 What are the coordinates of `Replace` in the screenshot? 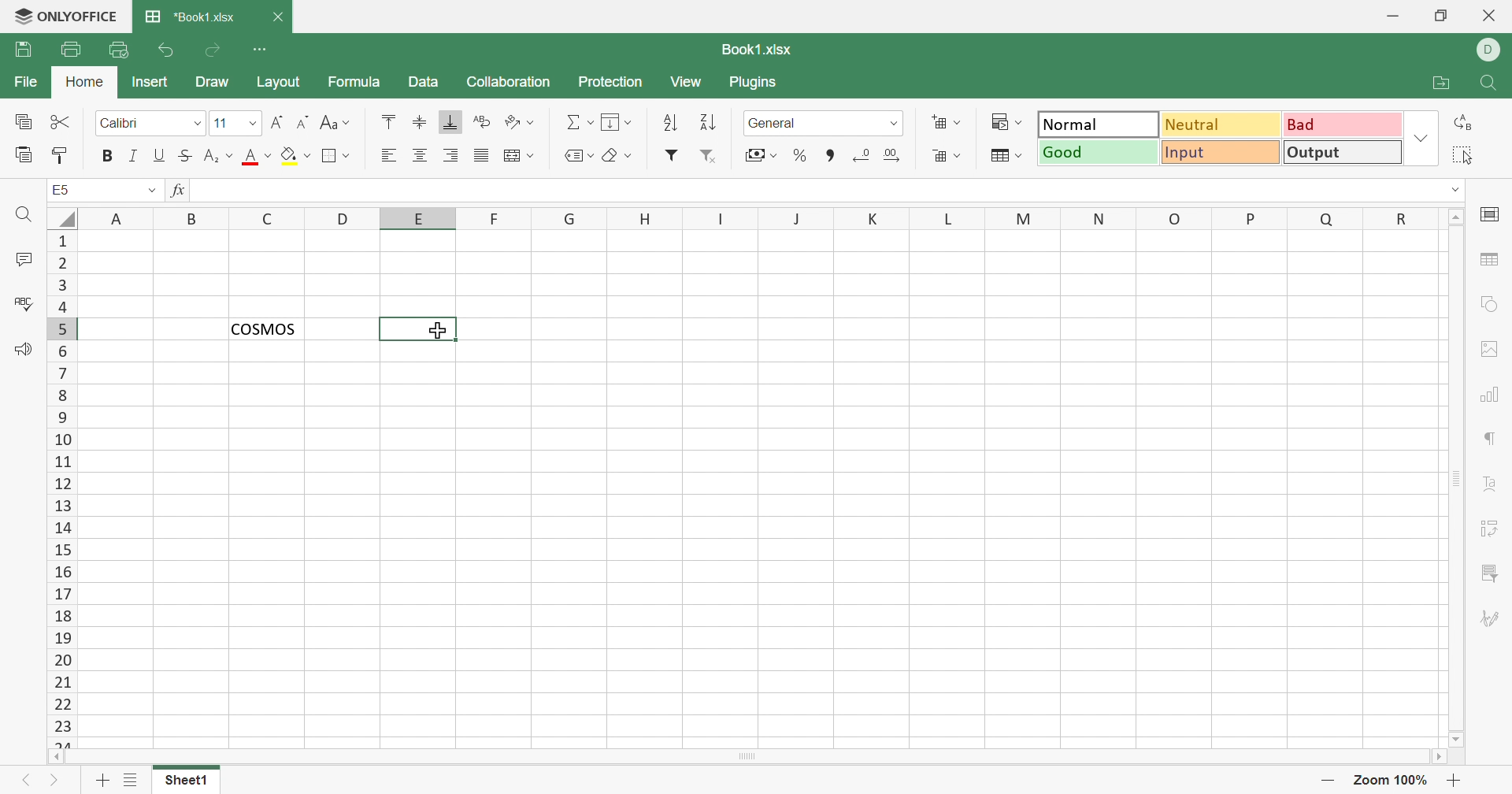 It's located at (1463, 121).